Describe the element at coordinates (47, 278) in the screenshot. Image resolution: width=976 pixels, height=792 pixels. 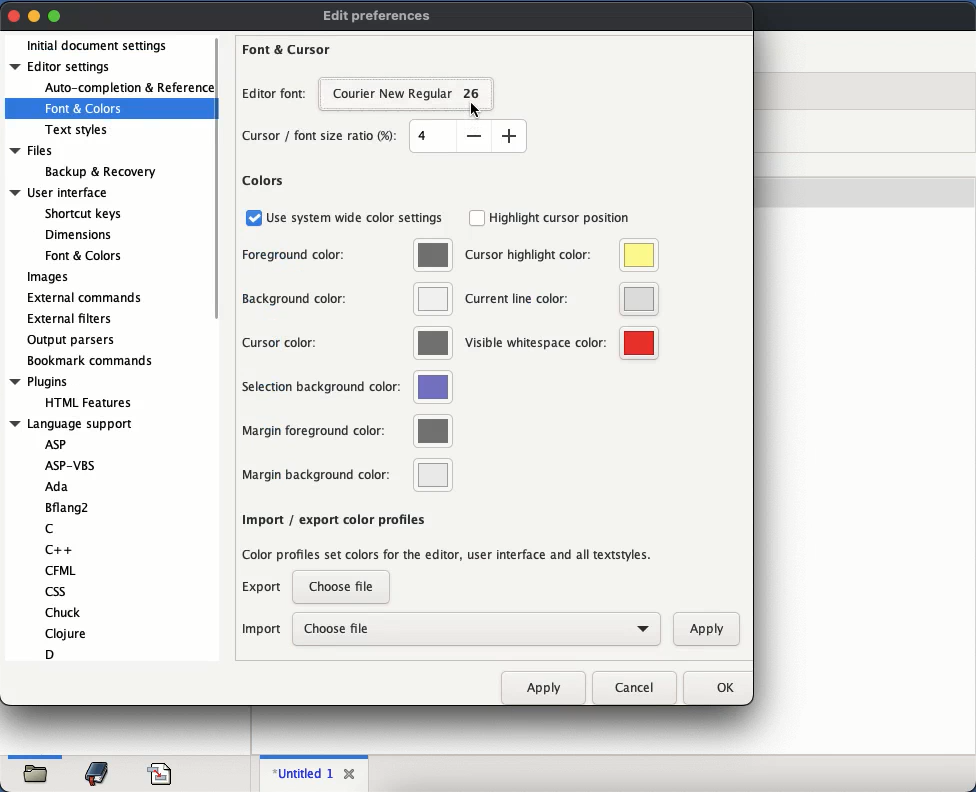
I see `images` at that location.